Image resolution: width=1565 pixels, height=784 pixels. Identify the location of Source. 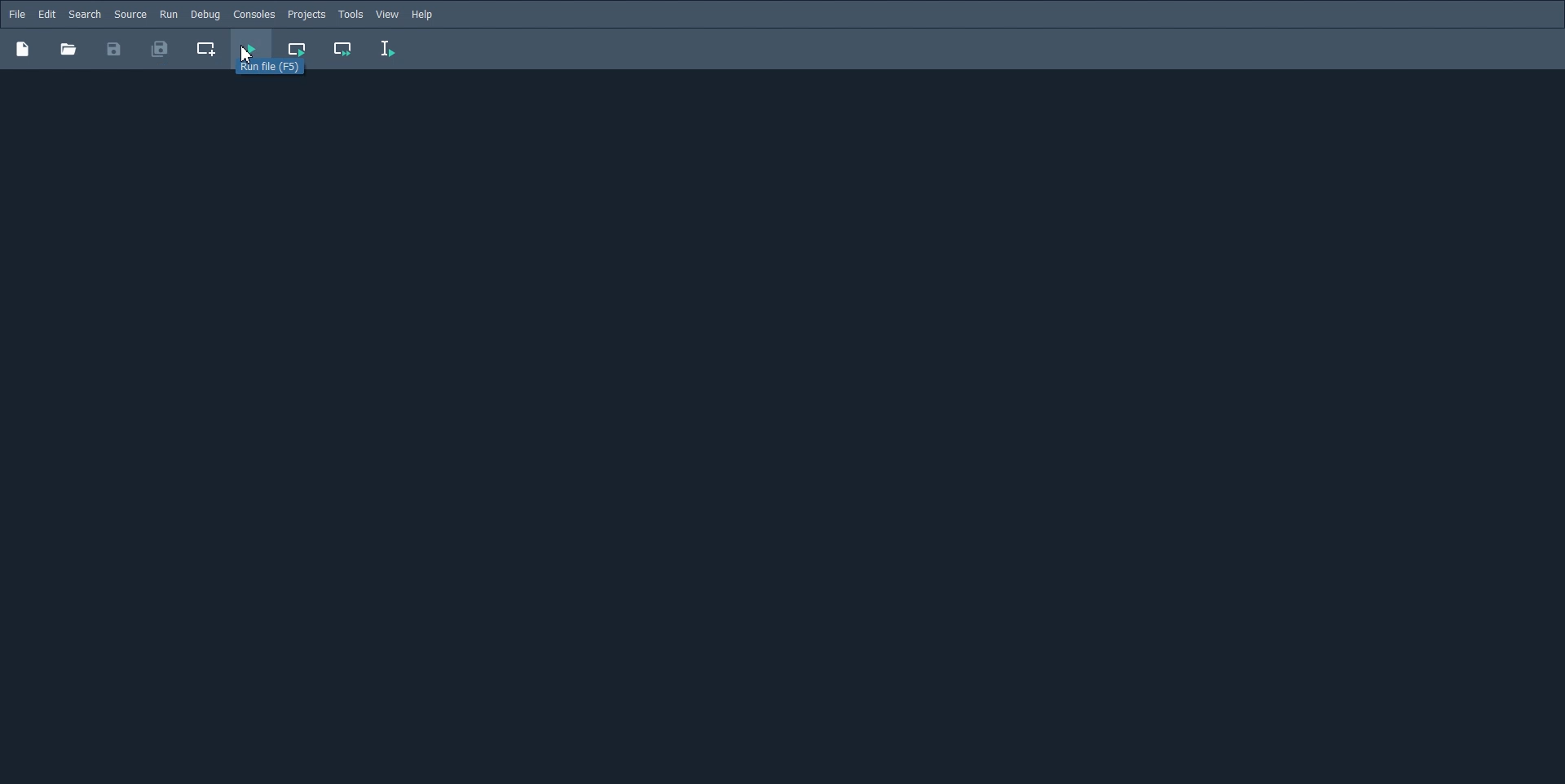
(130, 14).